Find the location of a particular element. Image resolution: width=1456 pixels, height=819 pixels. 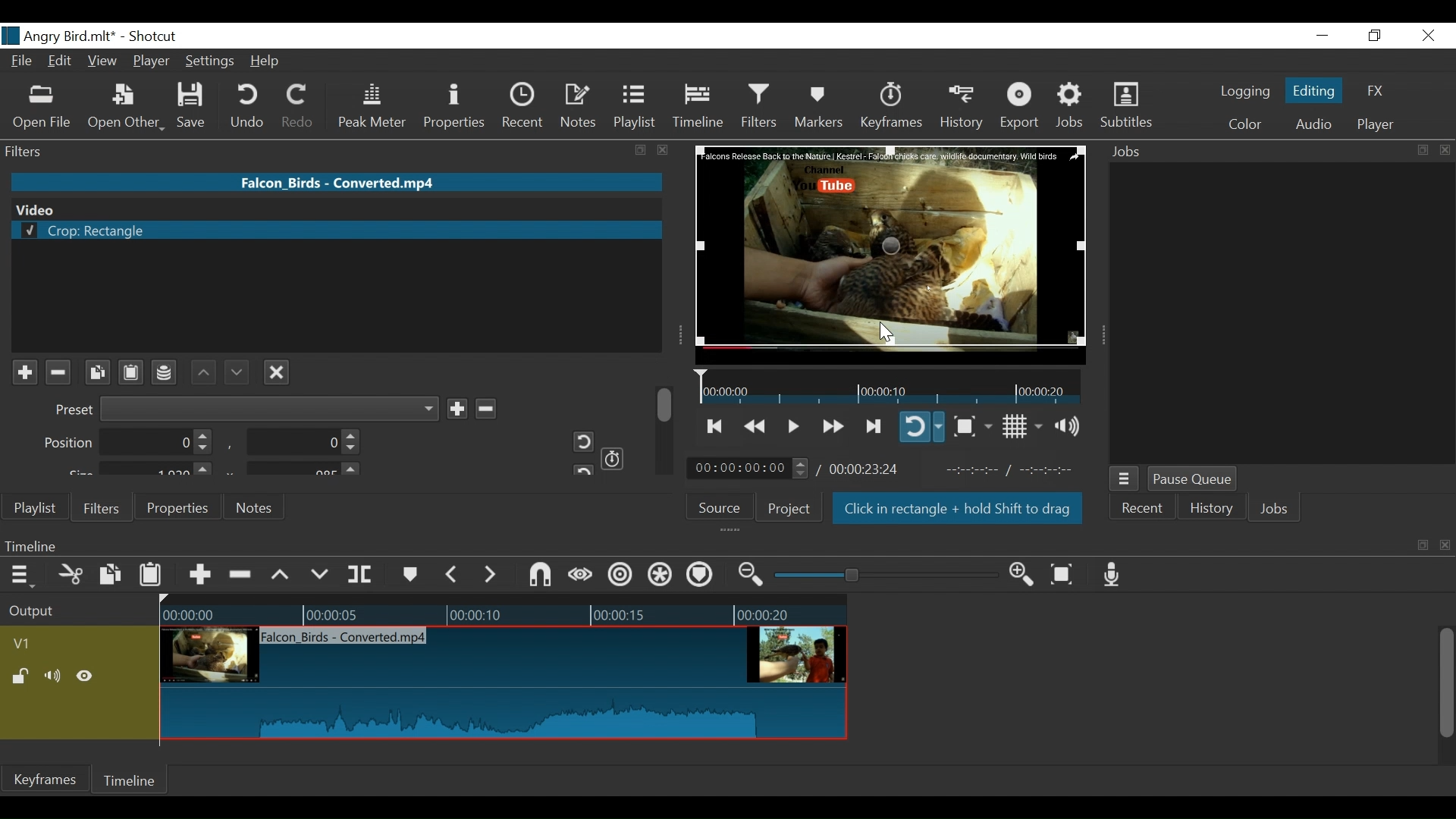

Recent is located at coordinates (1141, 510).